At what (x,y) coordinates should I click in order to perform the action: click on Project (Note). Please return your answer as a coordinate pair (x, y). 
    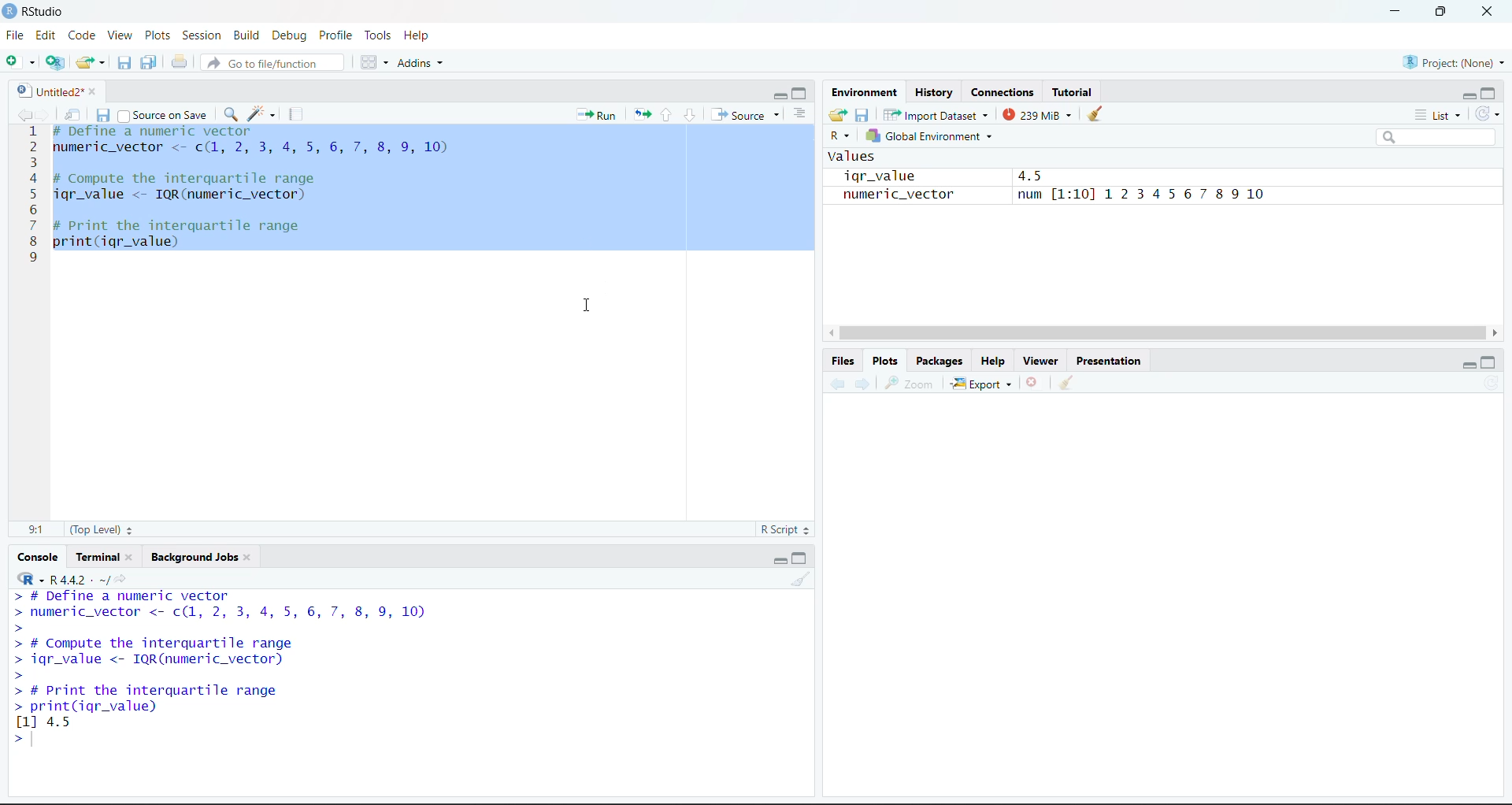
    Looking at the image, I should click on (1452, 61).